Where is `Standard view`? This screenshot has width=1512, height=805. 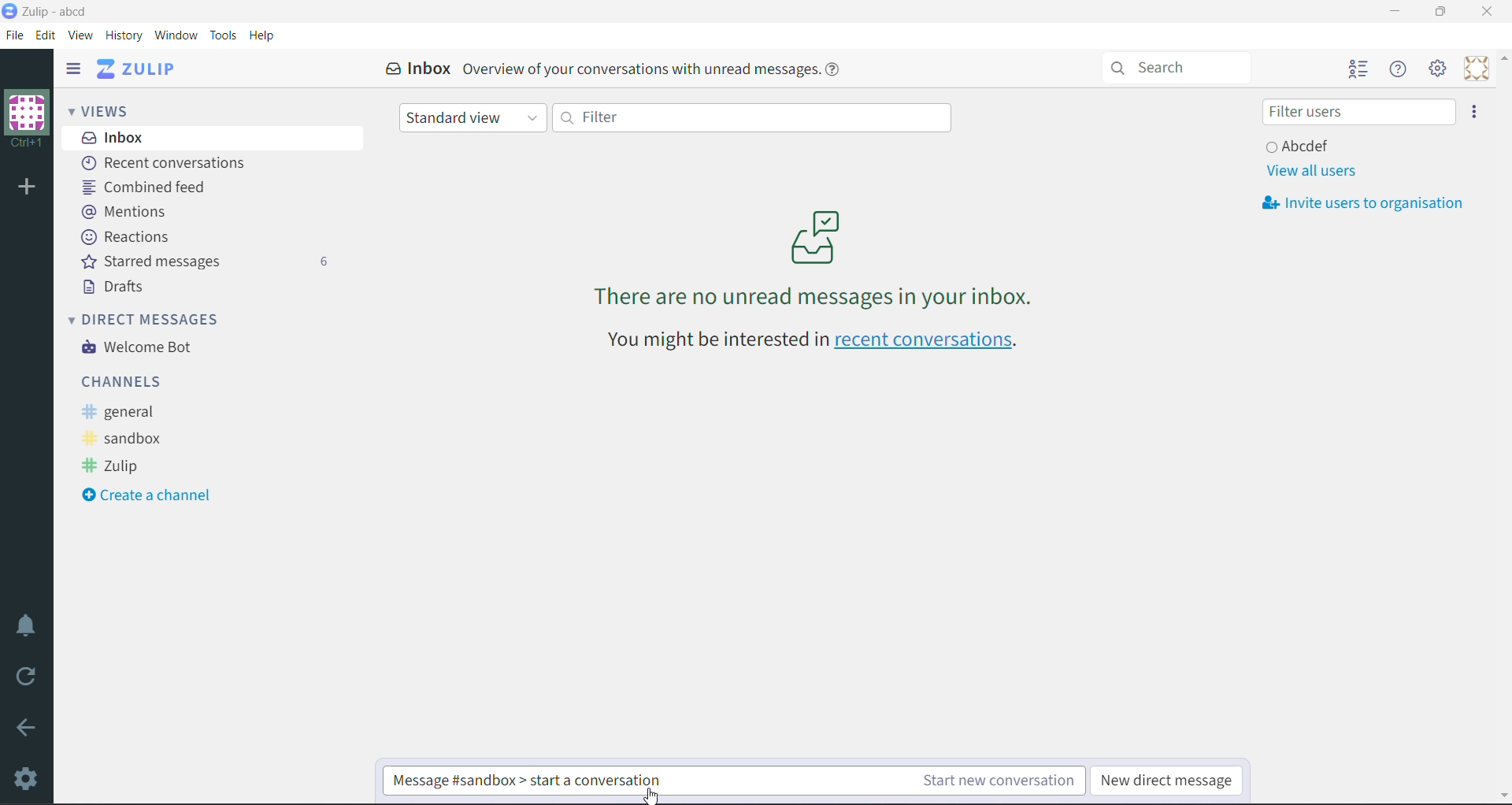 Standard view is located at coordinates (473, 119).